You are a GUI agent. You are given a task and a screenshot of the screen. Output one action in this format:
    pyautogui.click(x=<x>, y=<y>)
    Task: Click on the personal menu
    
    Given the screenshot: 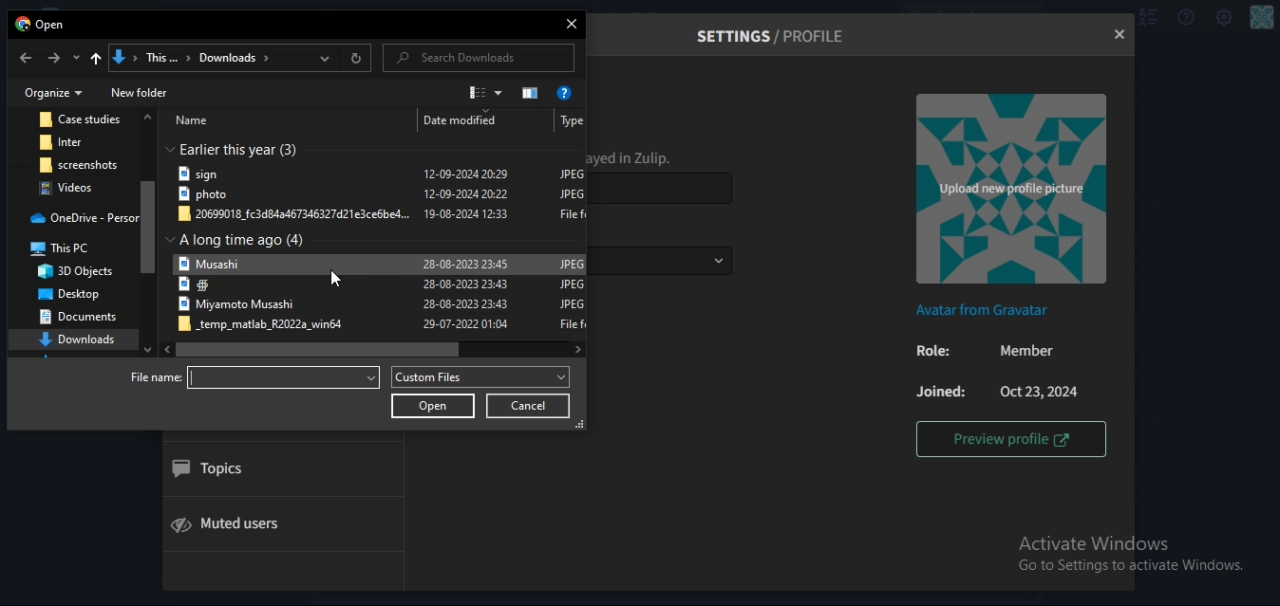 What is the action you would take?
    pyautogui.click(x=1263, y=18)
    